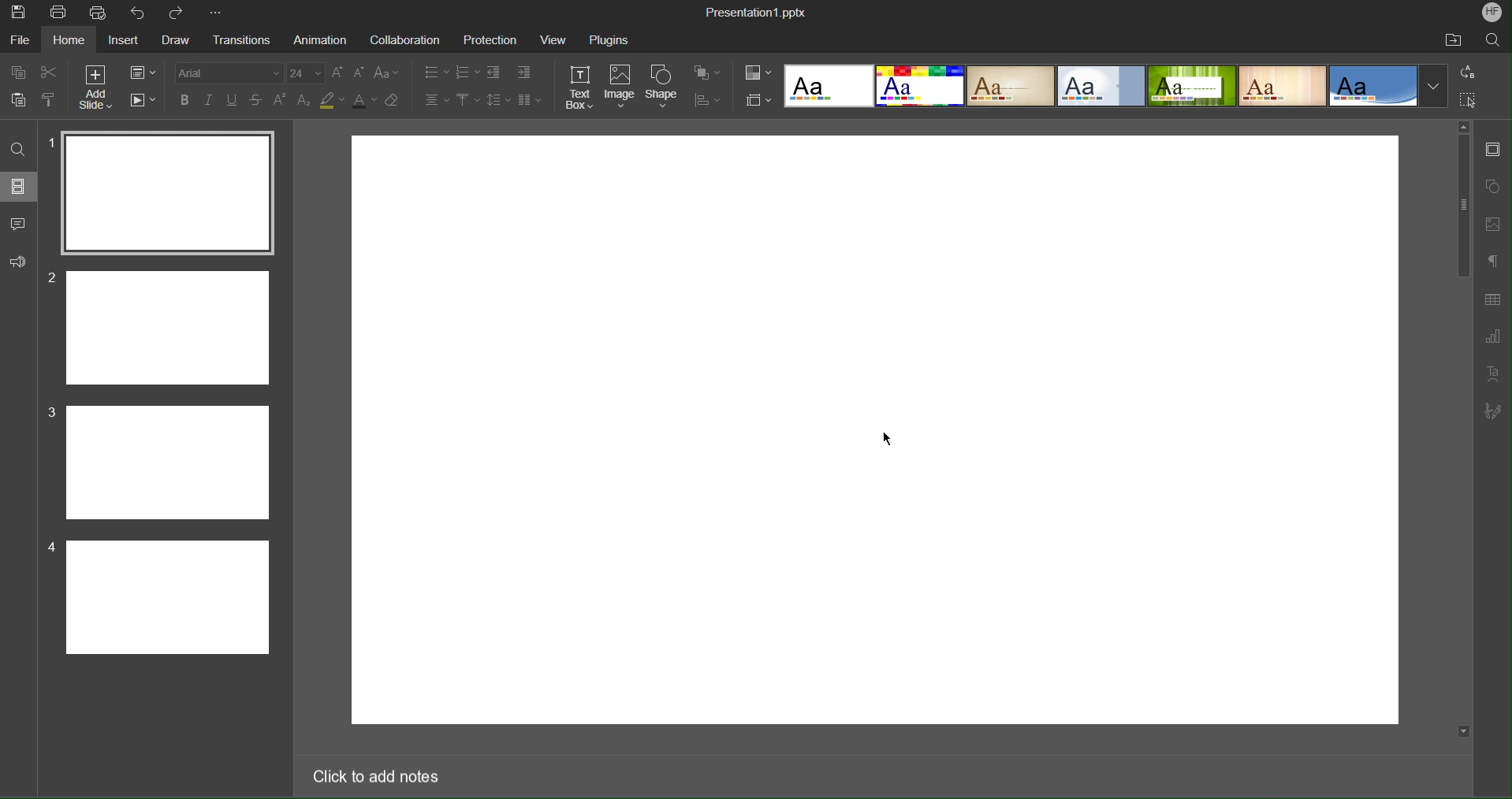 The height and width of the screenshot is (799, 1512). What do you see at coordinates (661, 87) in the screenshot?
I see `Shape` at bounding box center [661, 87].